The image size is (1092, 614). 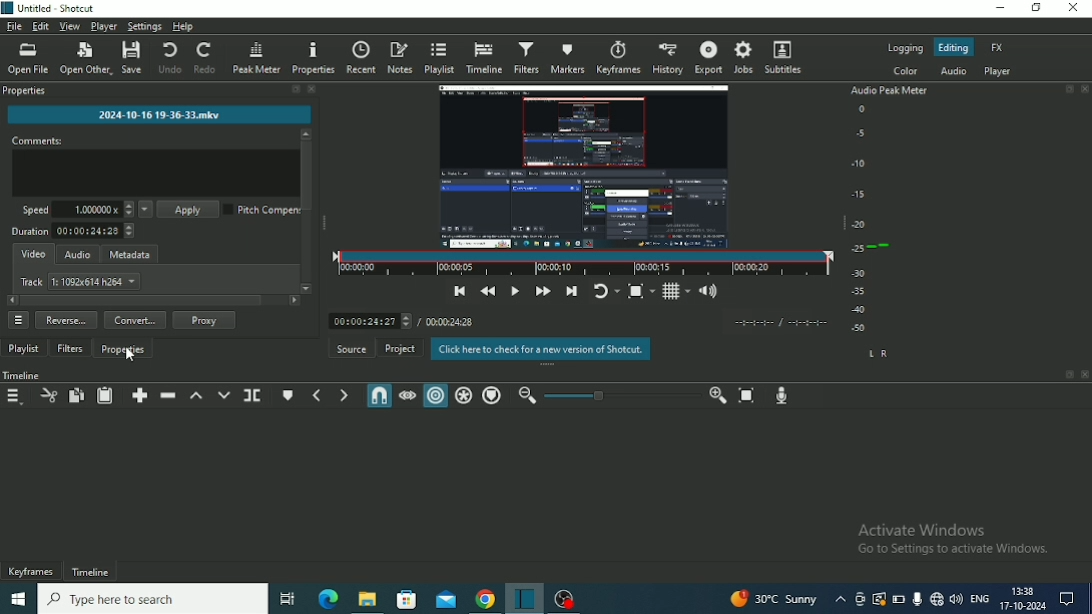 What do you see at coordinates (904, 49) in the screenshot?
I see `Logging` at bounding box center [904, 49].